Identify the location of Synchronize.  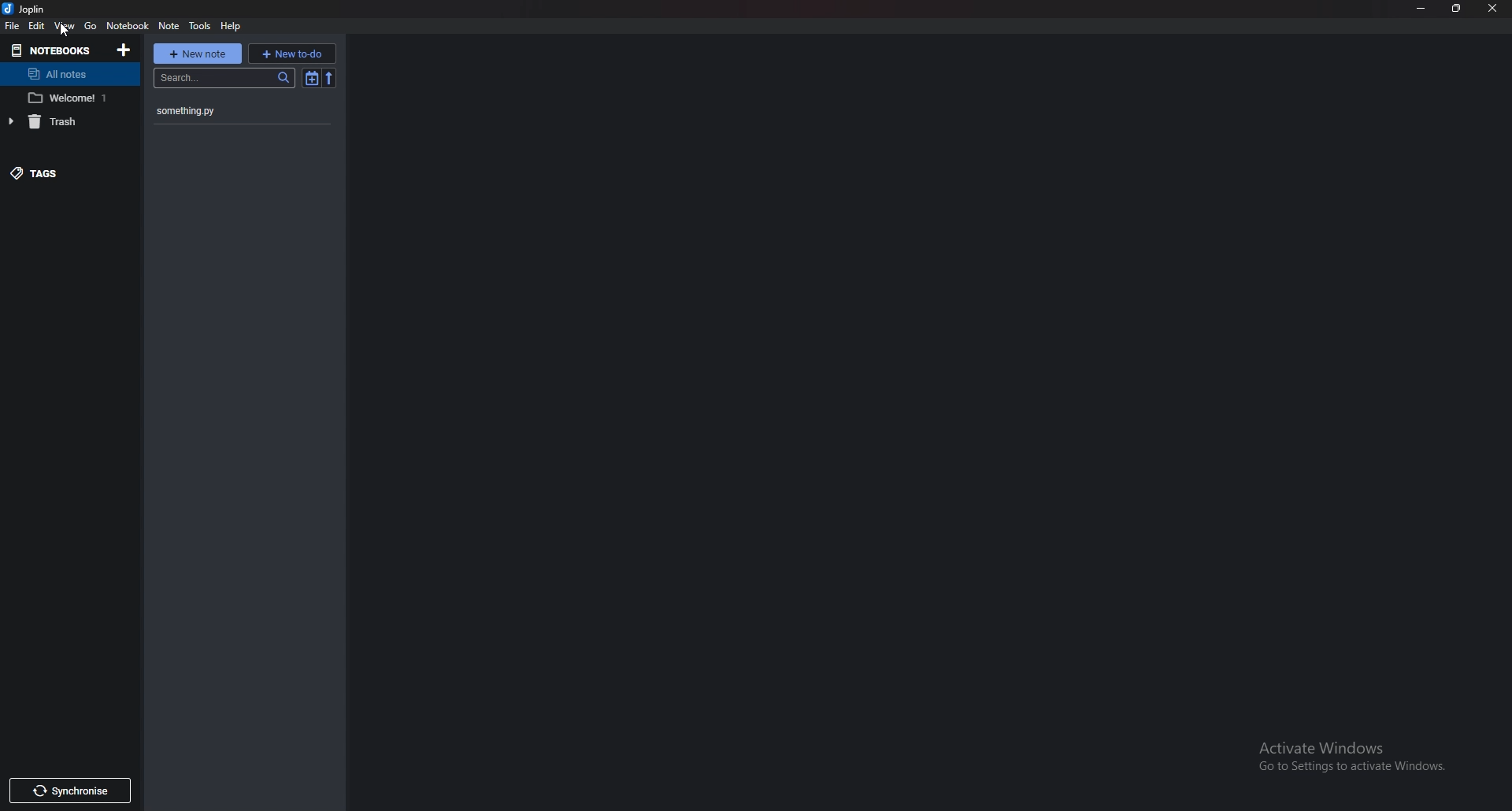
(69, 791).